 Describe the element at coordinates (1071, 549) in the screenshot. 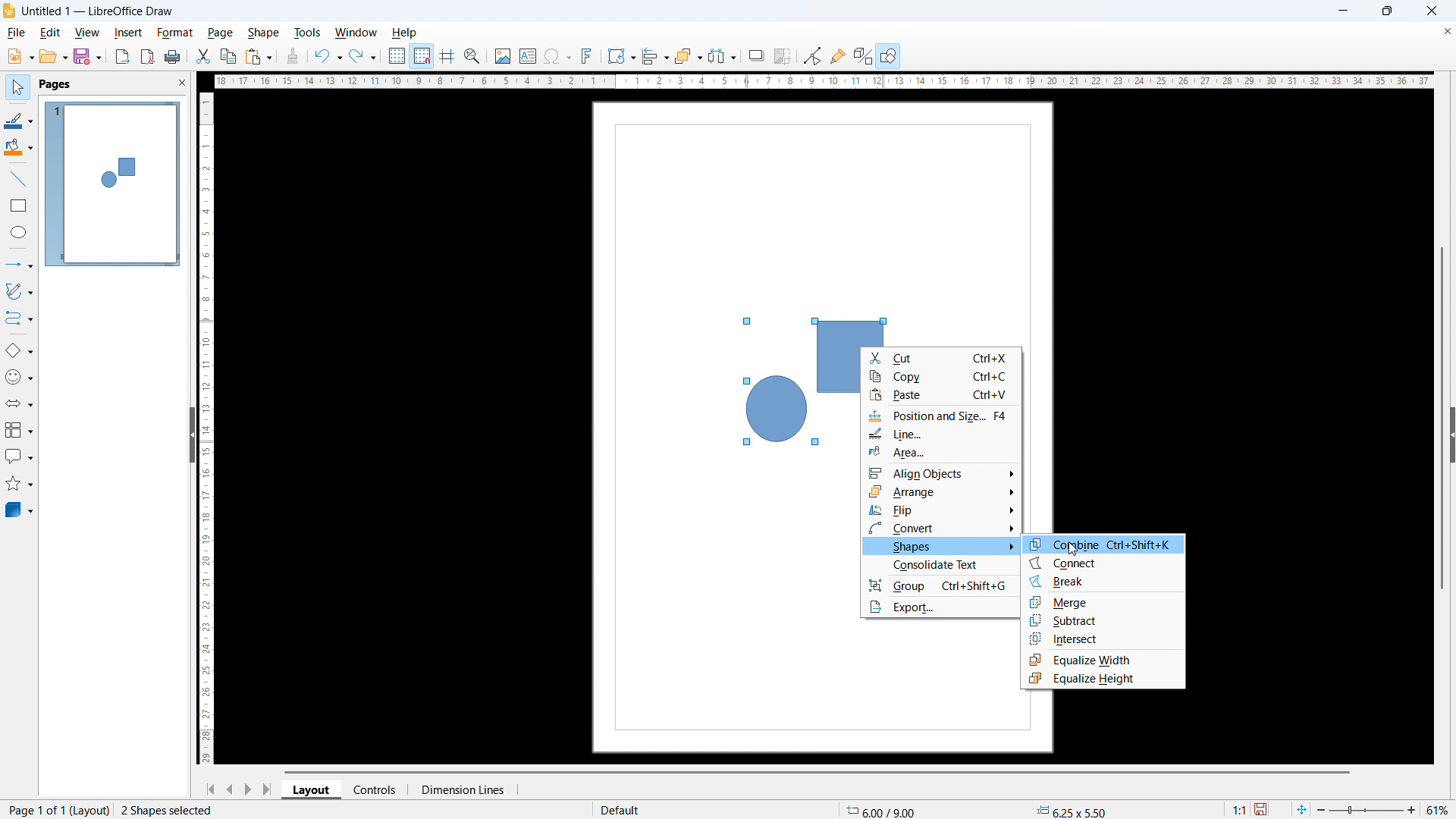

I see `cursor` at that location.